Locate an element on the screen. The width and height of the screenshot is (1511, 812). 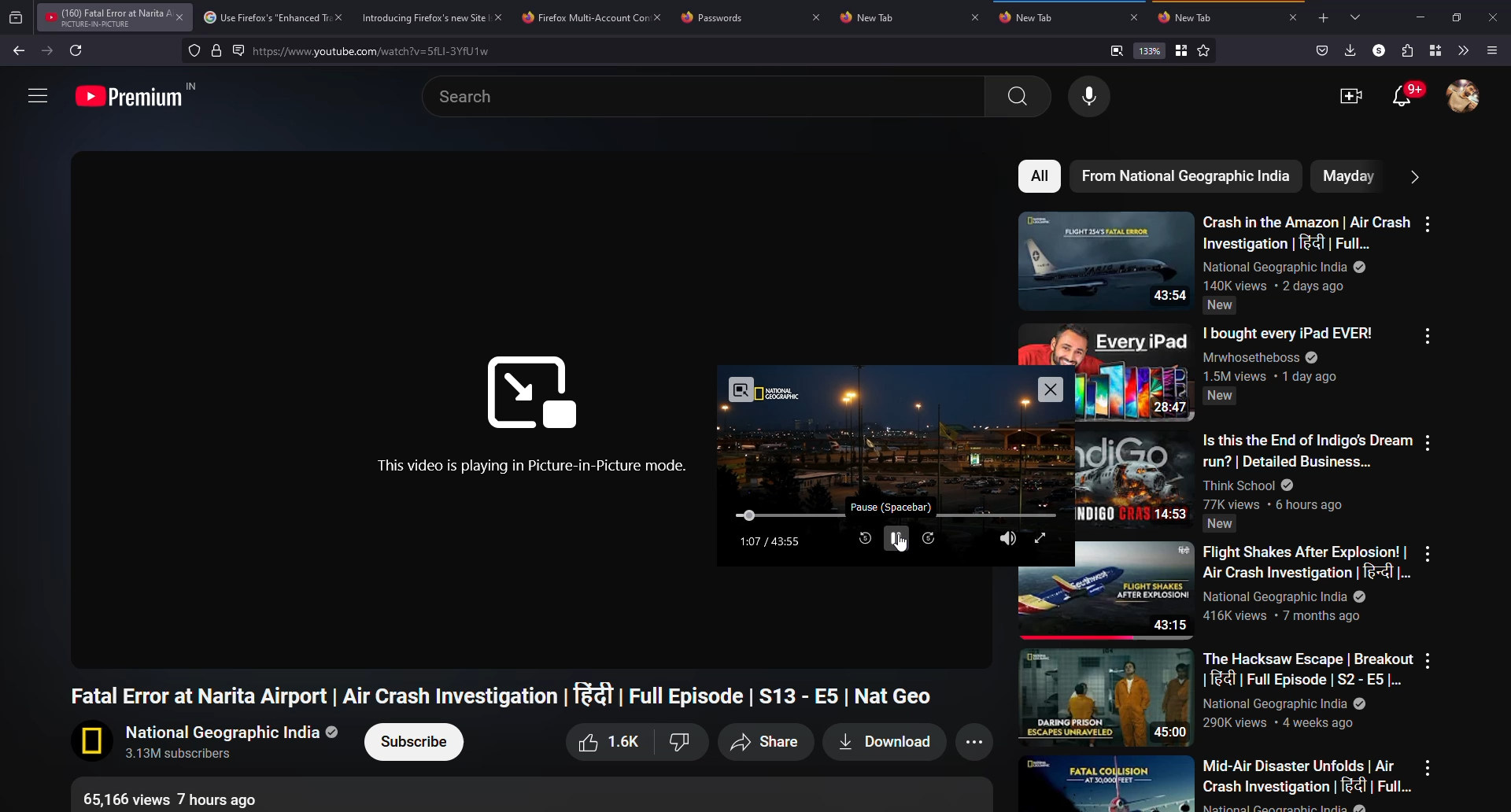
forward is located at coordinates (46, 50).